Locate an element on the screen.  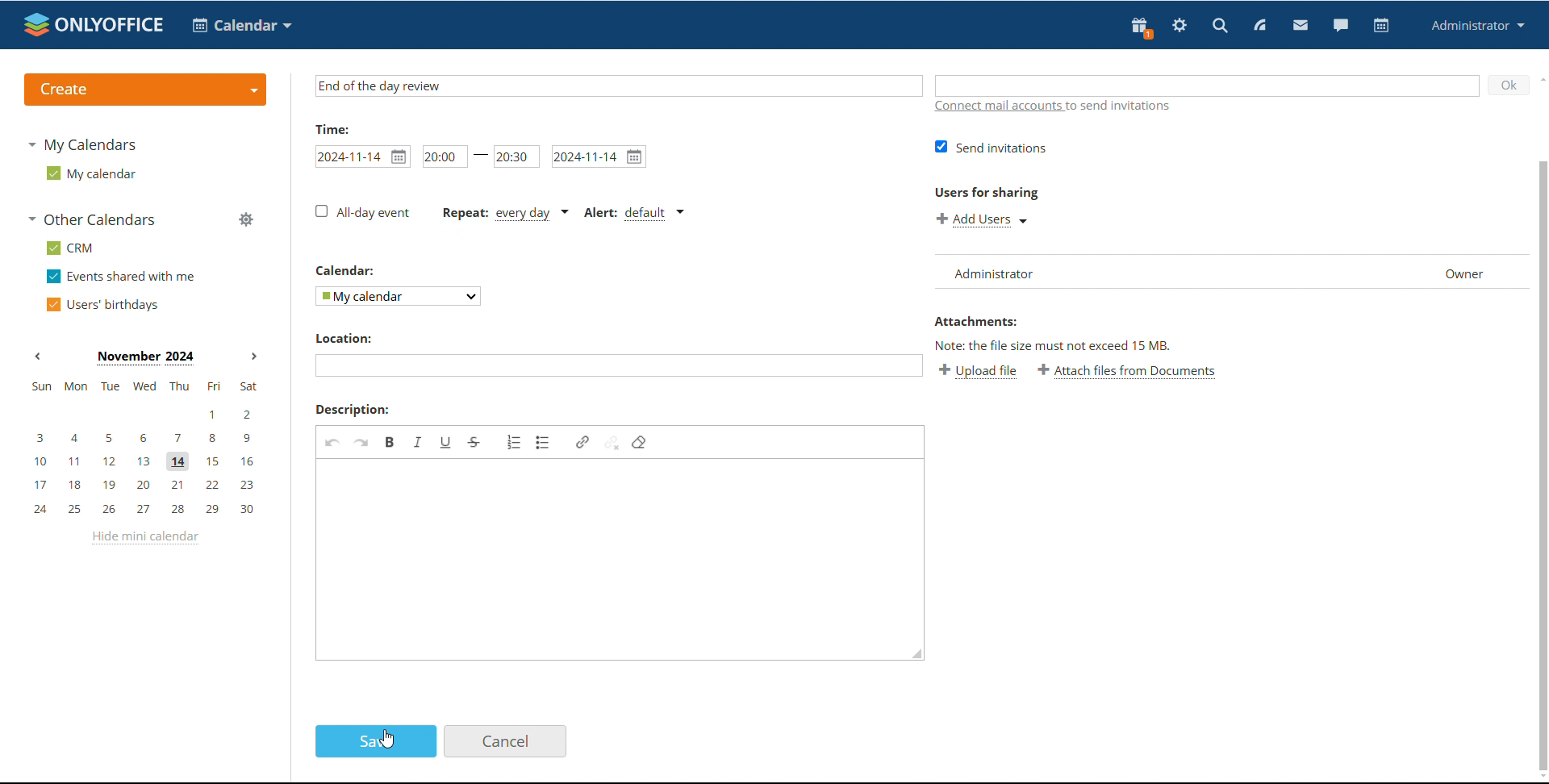
All - day event check box is located at coordinates (362, 213).